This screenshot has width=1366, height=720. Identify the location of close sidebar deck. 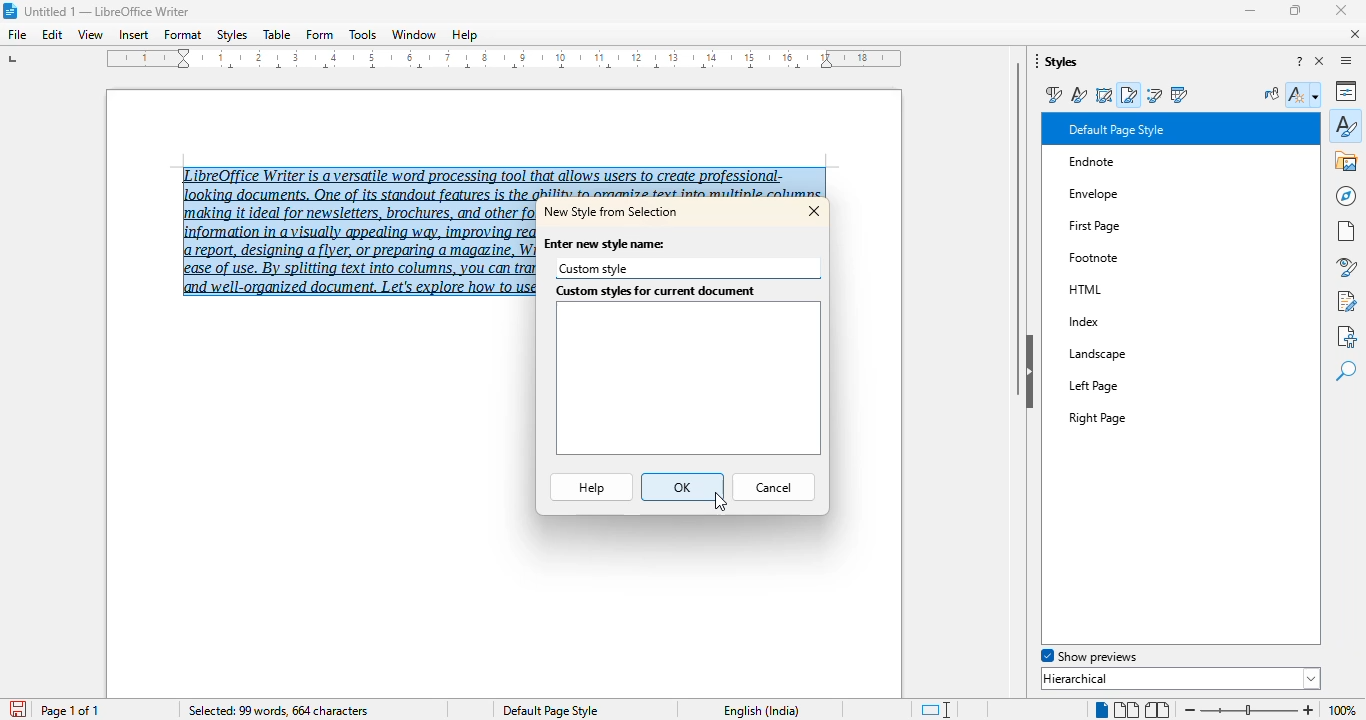
(1321, 62).